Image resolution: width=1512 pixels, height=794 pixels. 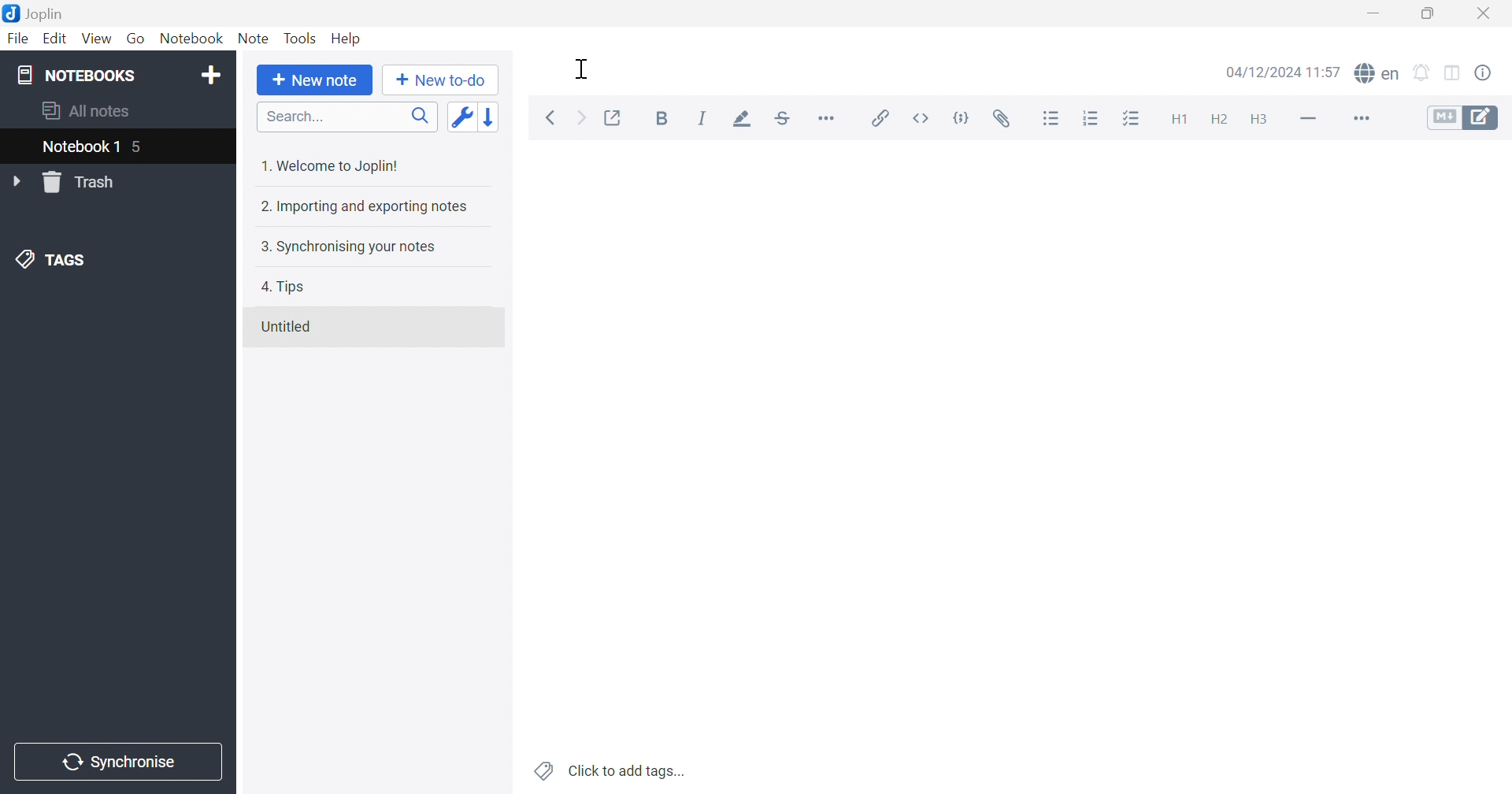 I want to click on Edit, so click(x=56, y=39).